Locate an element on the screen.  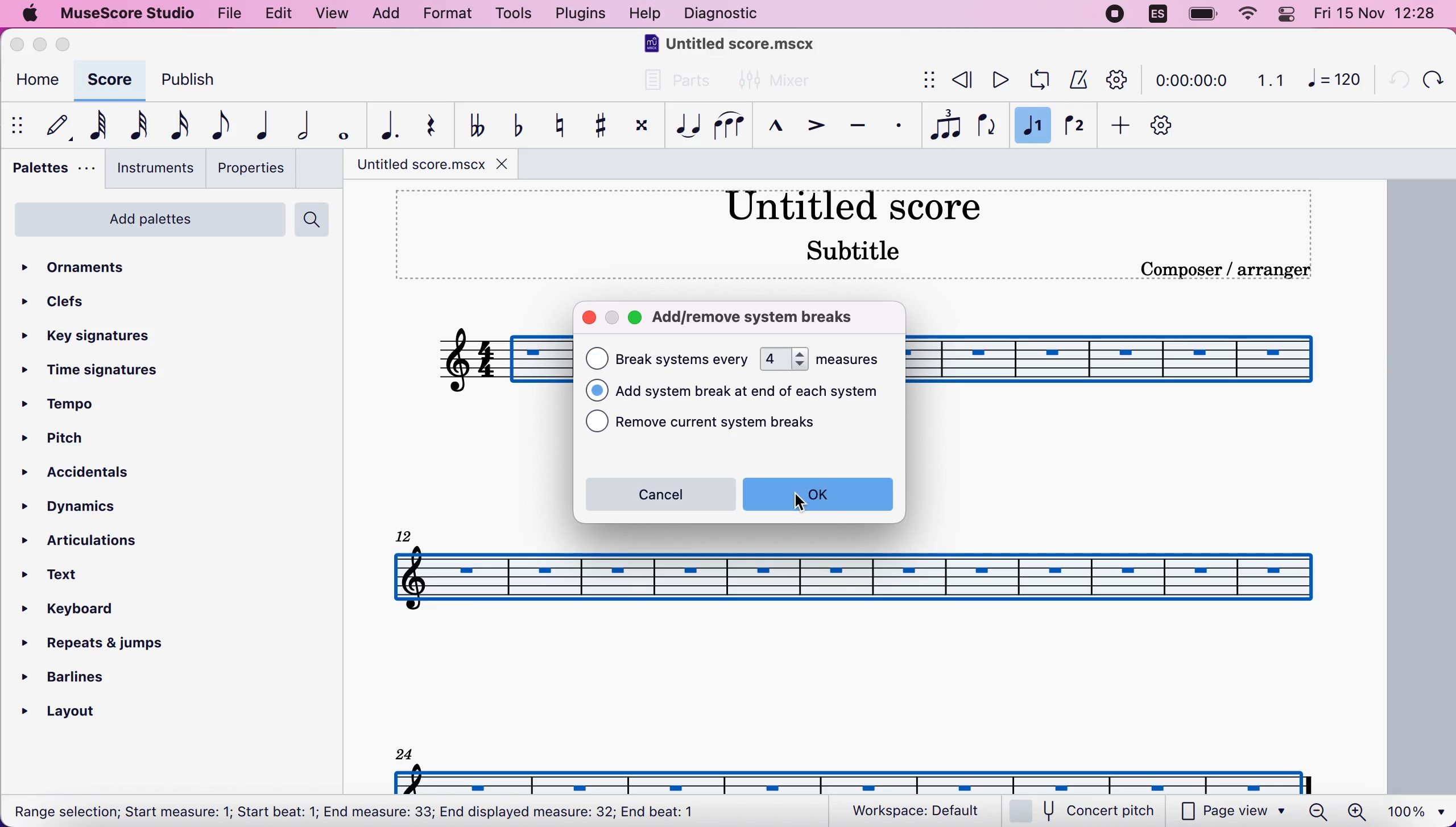
voice 1 is located at coordinates (1033, 127).